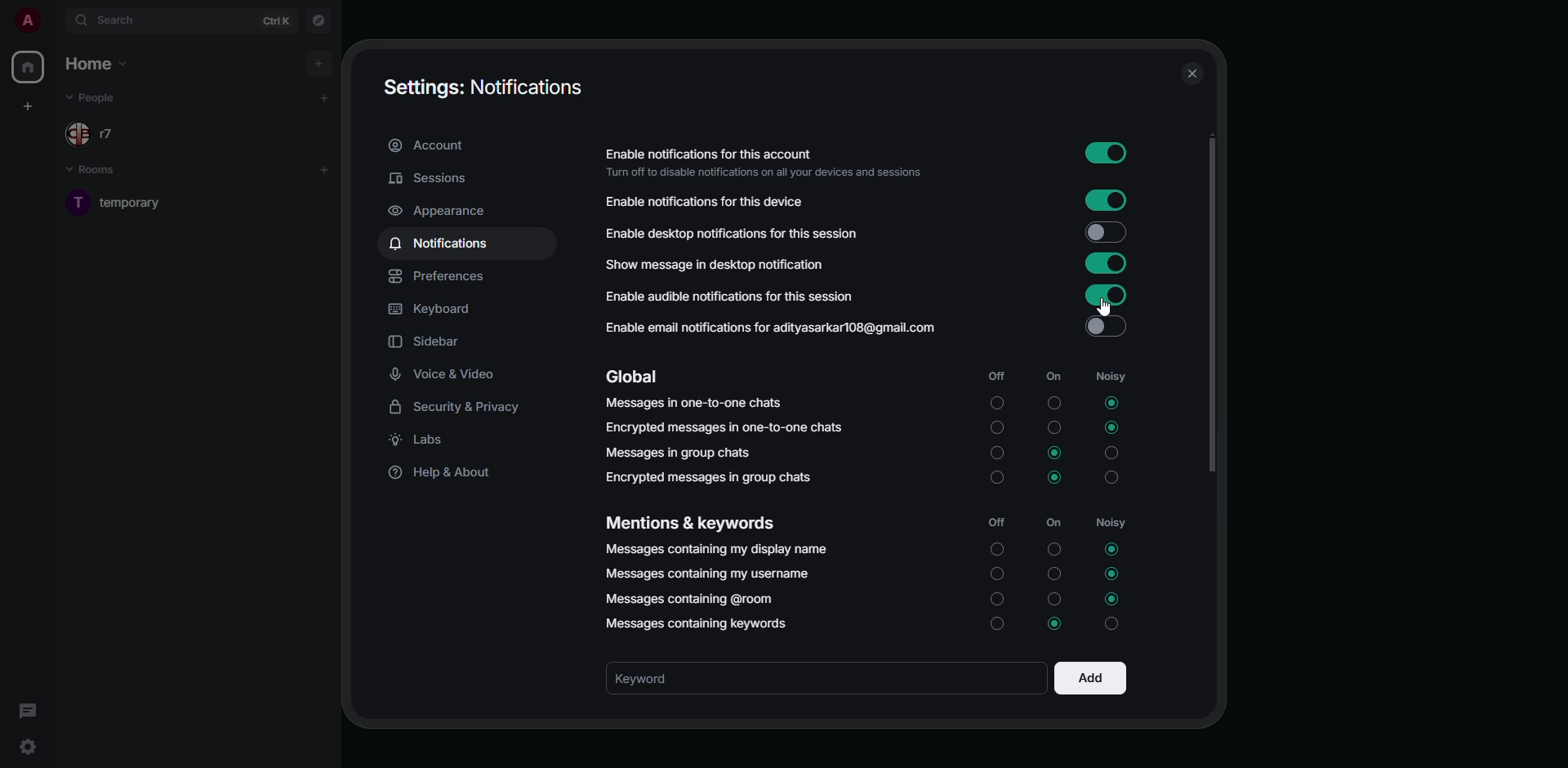 The width and height of the screenshot is (1568, 768). Describe the element at coordinates (1113, 600) in the screenshot. I see `selected` at that location.